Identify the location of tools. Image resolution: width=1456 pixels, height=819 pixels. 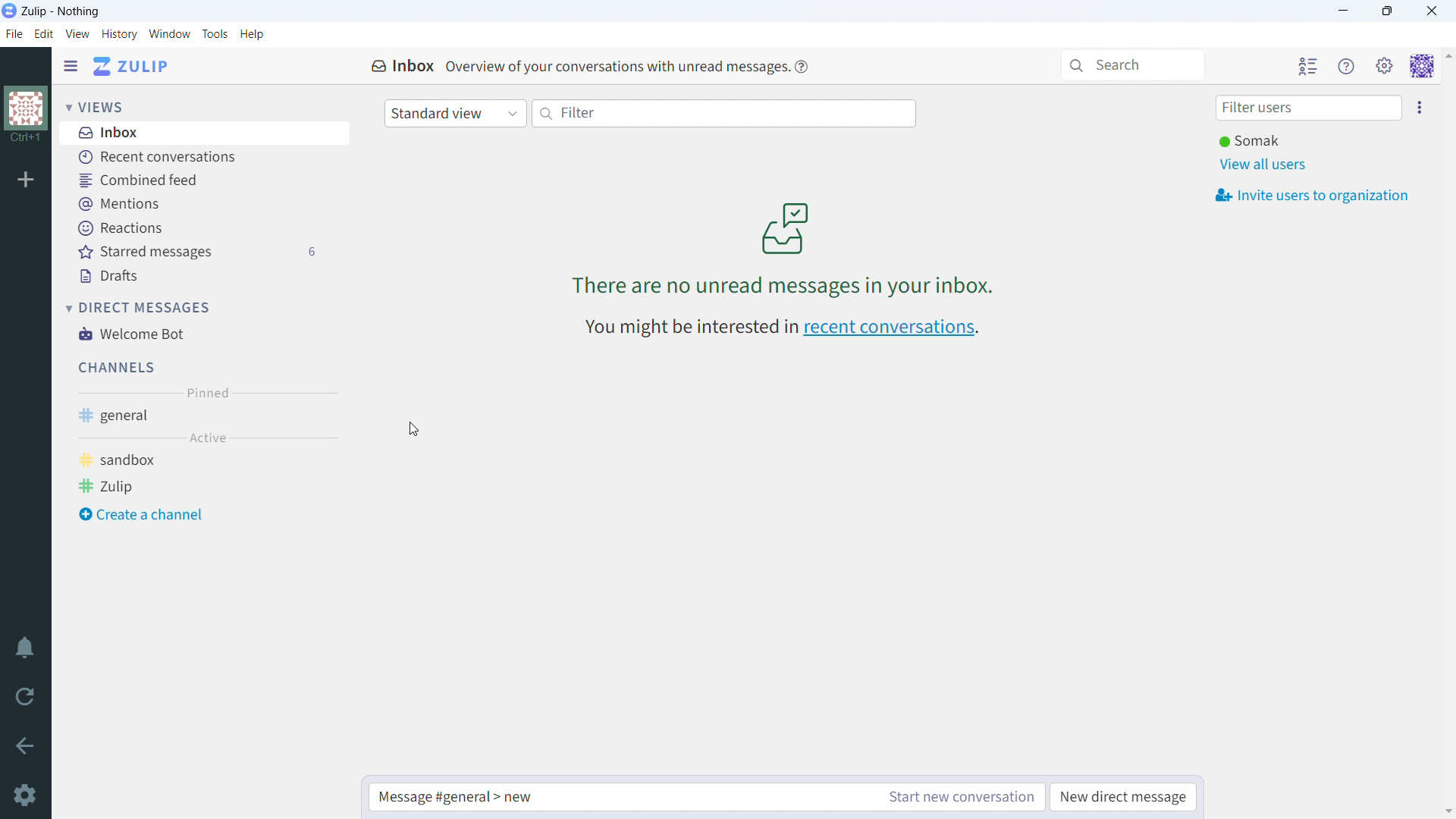
(215, 34).